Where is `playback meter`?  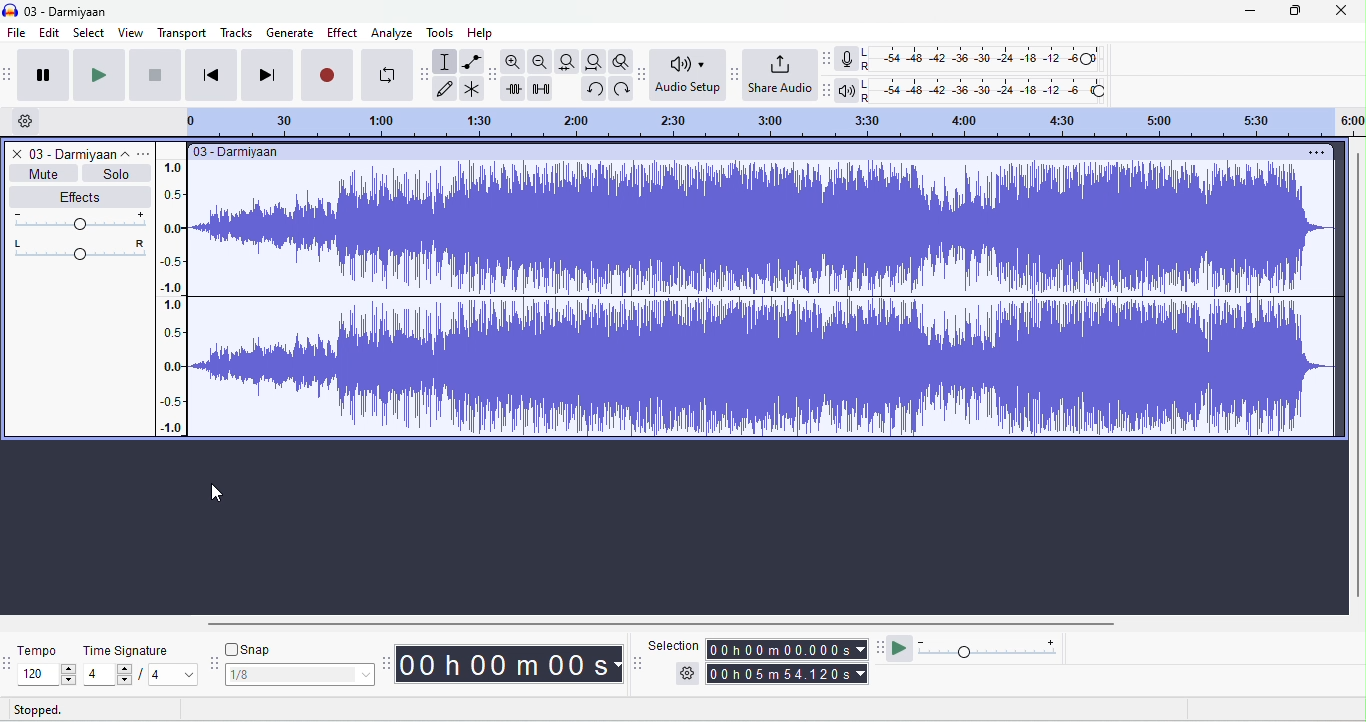 playback meter is located at coordinates (846, 90).